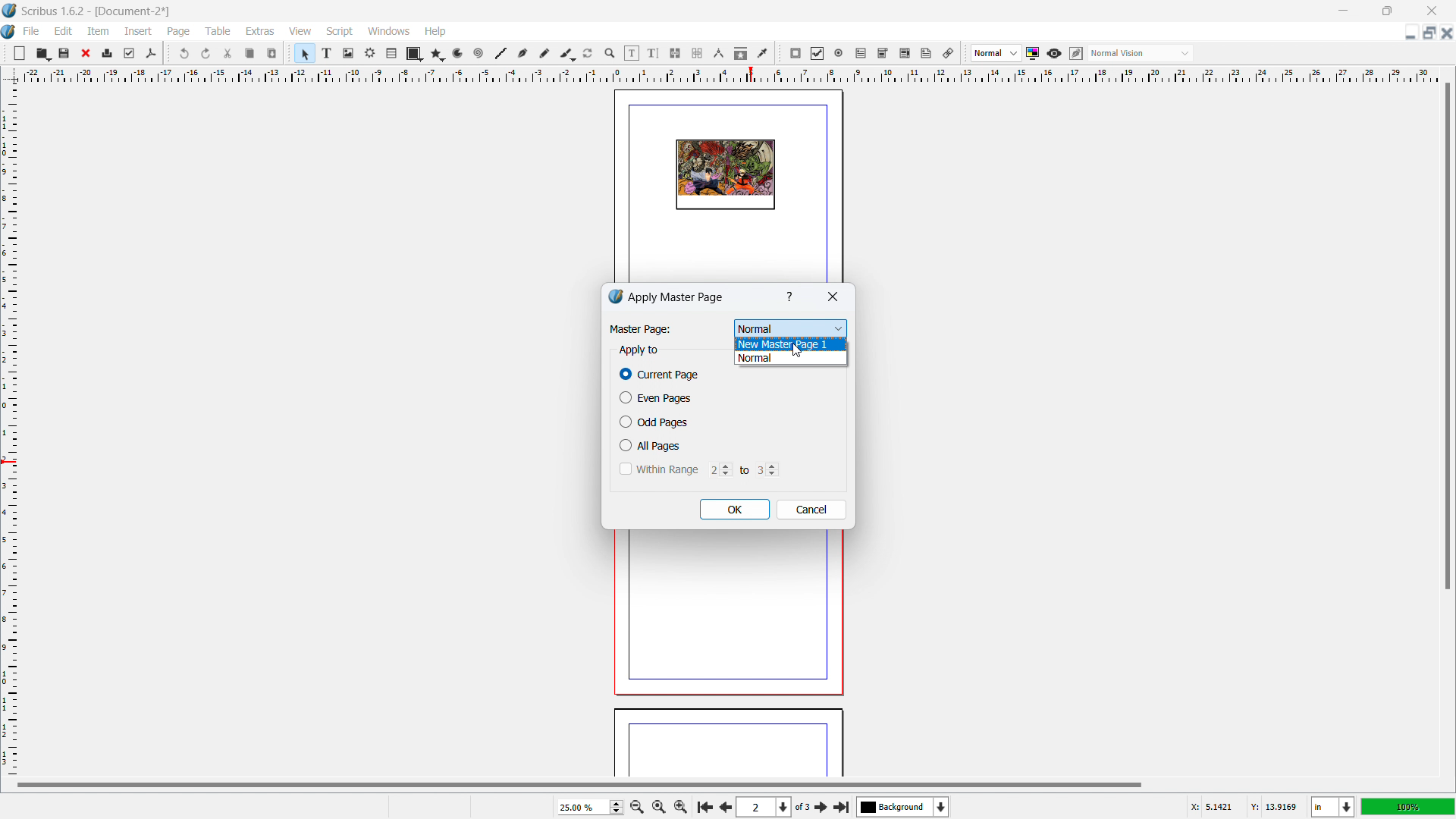 Image resolution: width=1456 pixels, height=819 pixels. Describe the element at coordinates (261, 31) in the screenshot. I see `extras` at that location.